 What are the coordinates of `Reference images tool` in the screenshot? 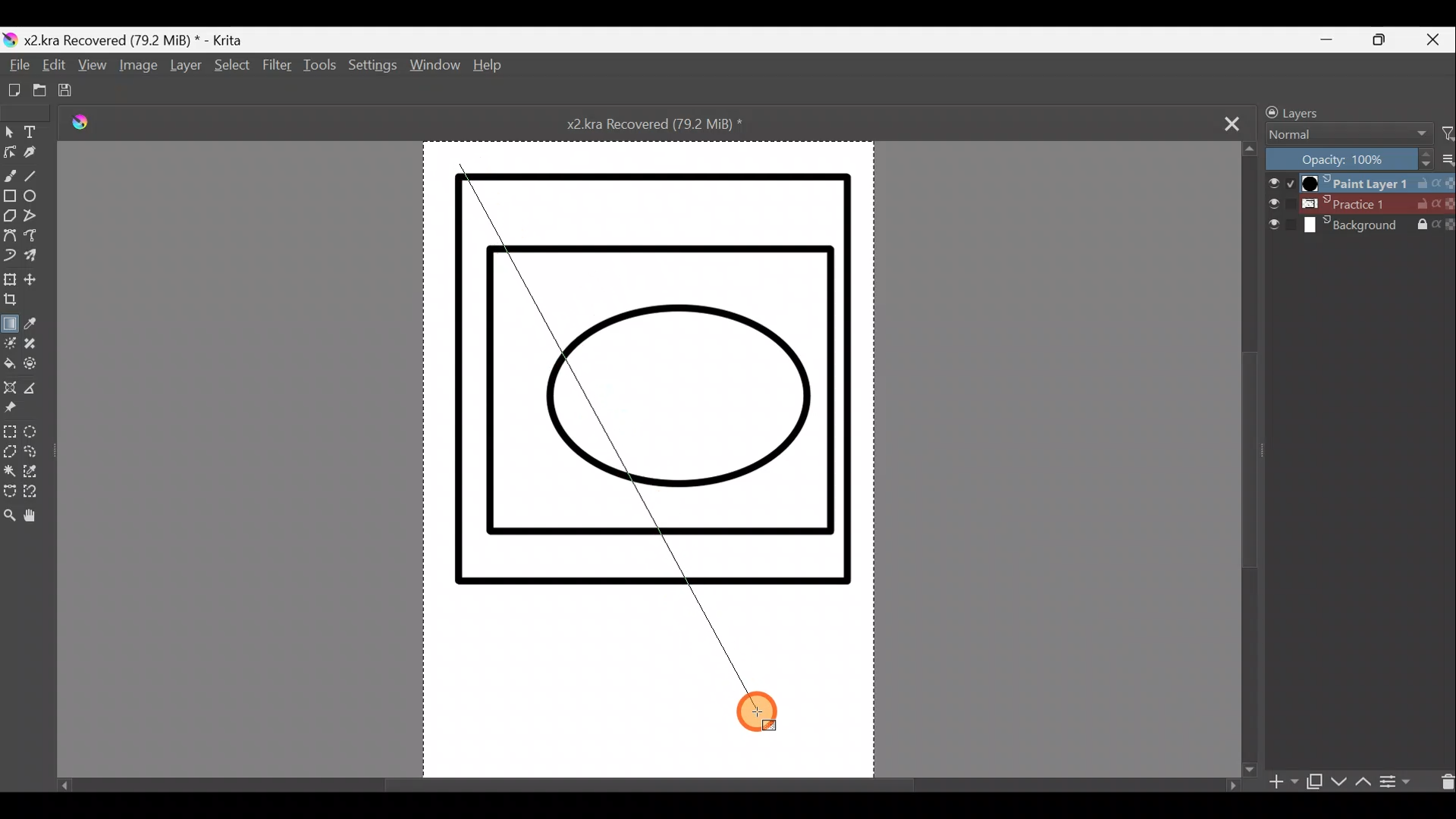 It's located at (11, 413).